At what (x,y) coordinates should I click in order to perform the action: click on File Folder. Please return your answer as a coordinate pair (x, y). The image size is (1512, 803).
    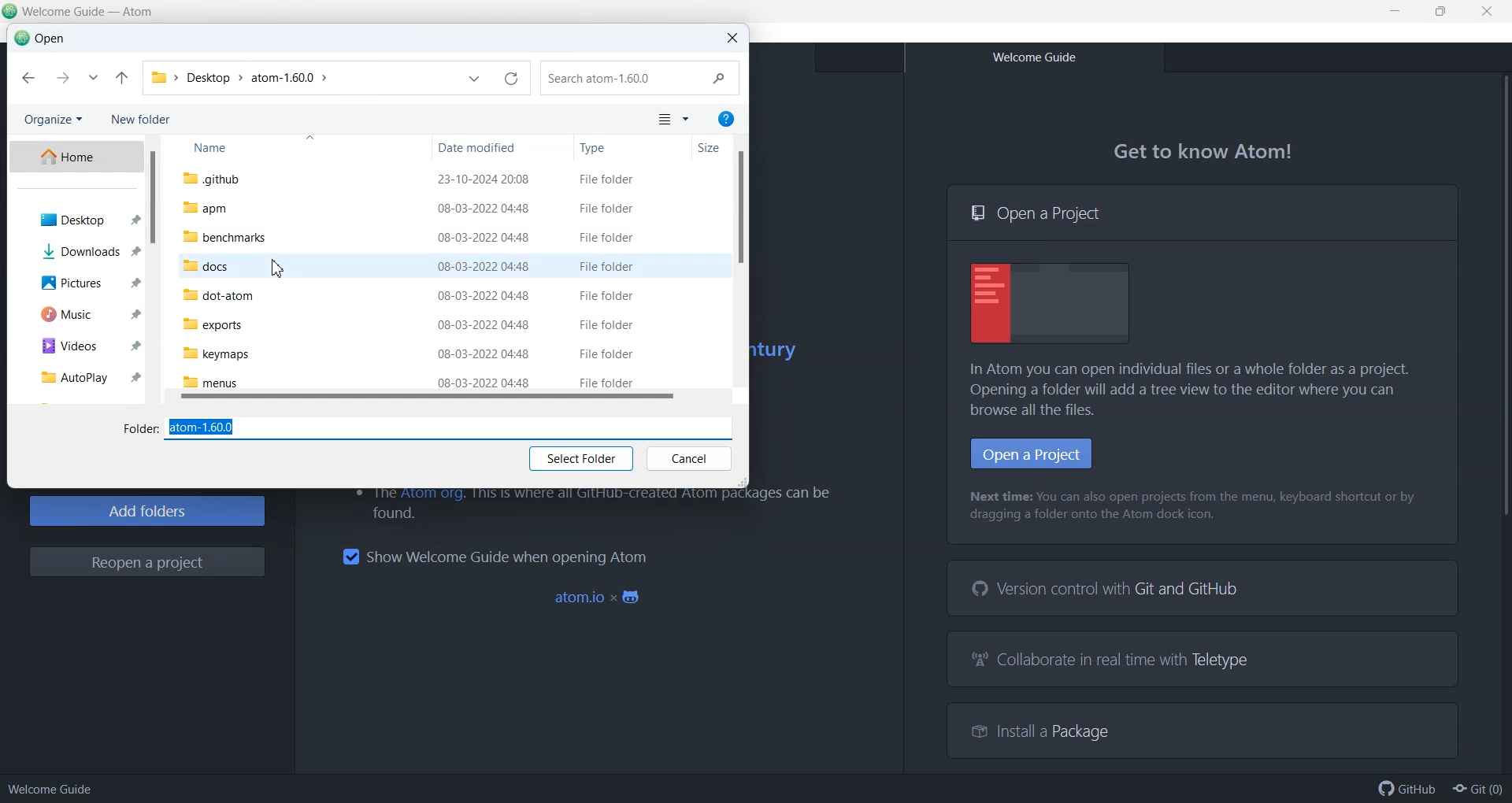
    Looking at the image, I should click on (607, 268).